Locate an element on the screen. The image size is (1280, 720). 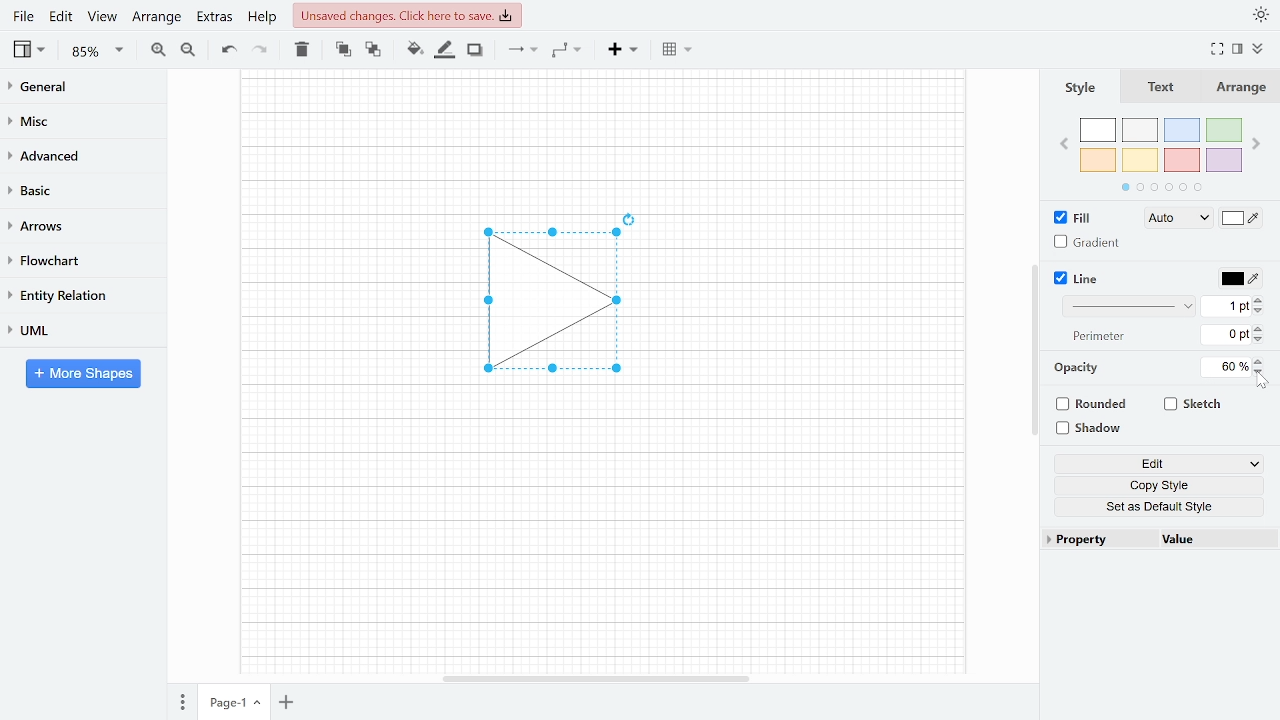
white is located at coordinates (1098, 131).